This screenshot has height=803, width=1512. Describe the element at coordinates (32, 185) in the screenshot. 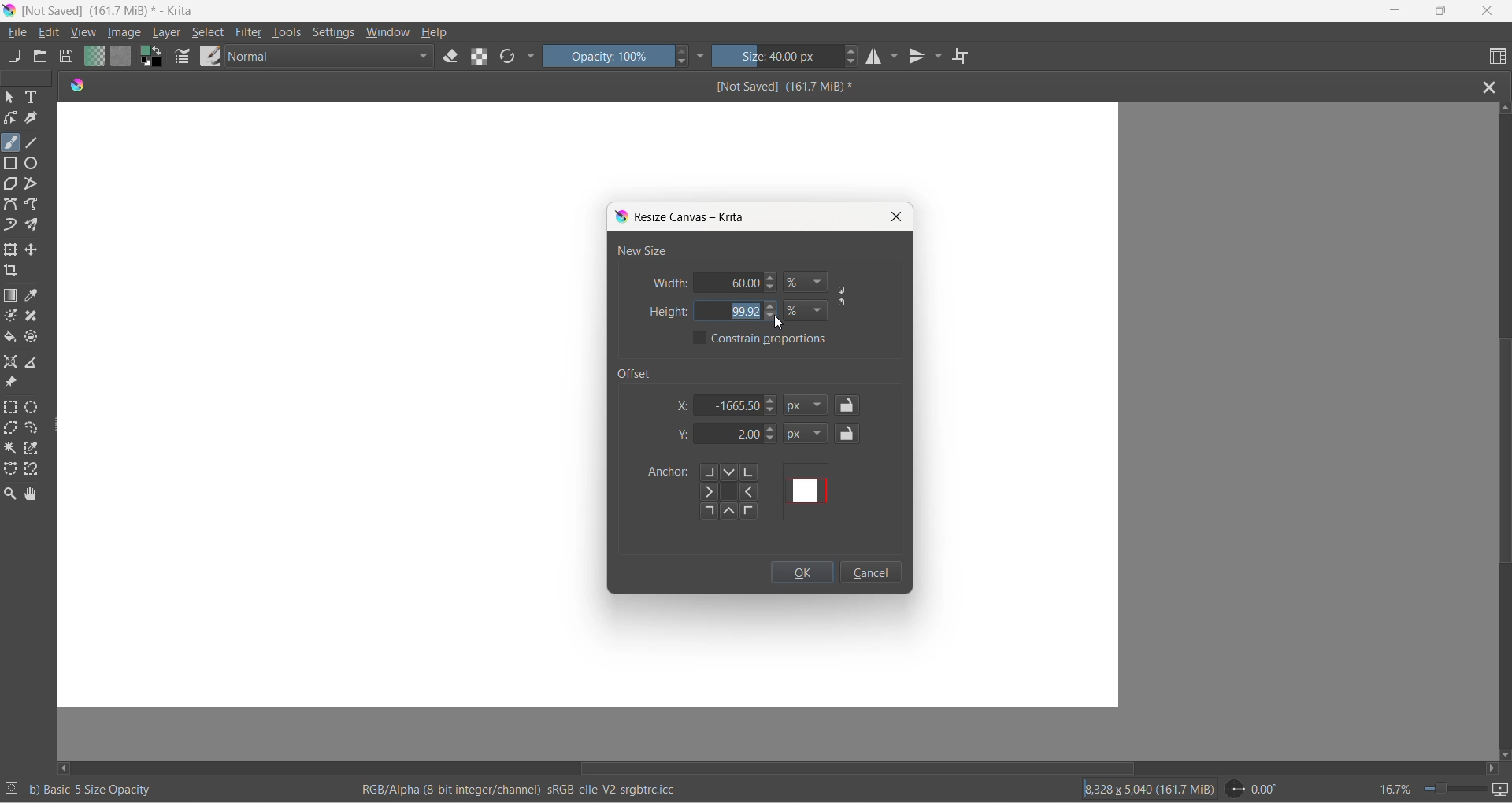

I see `polyline tool` at that location.